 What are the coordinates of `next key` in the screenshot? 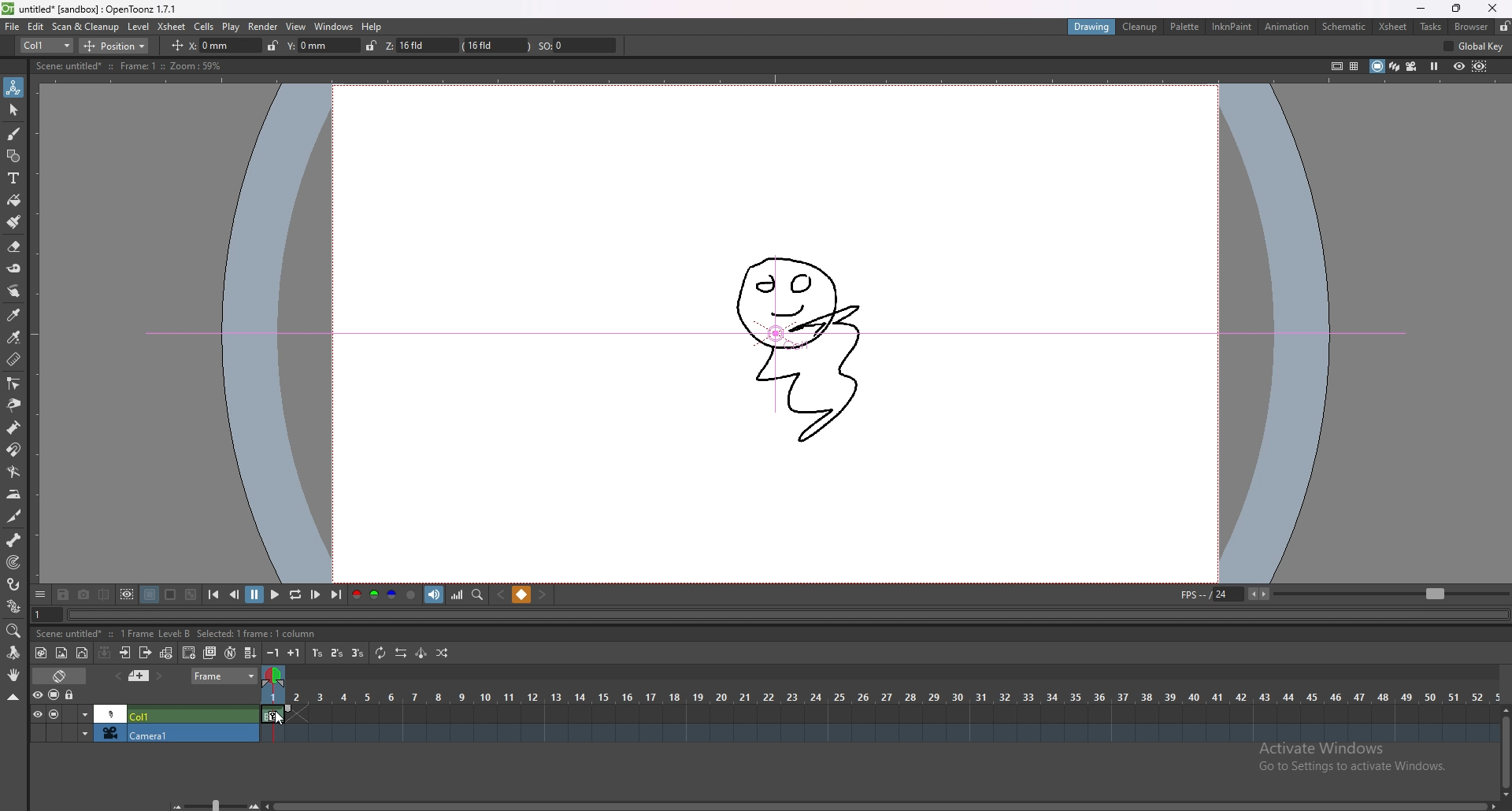 It's located at (542, 595).